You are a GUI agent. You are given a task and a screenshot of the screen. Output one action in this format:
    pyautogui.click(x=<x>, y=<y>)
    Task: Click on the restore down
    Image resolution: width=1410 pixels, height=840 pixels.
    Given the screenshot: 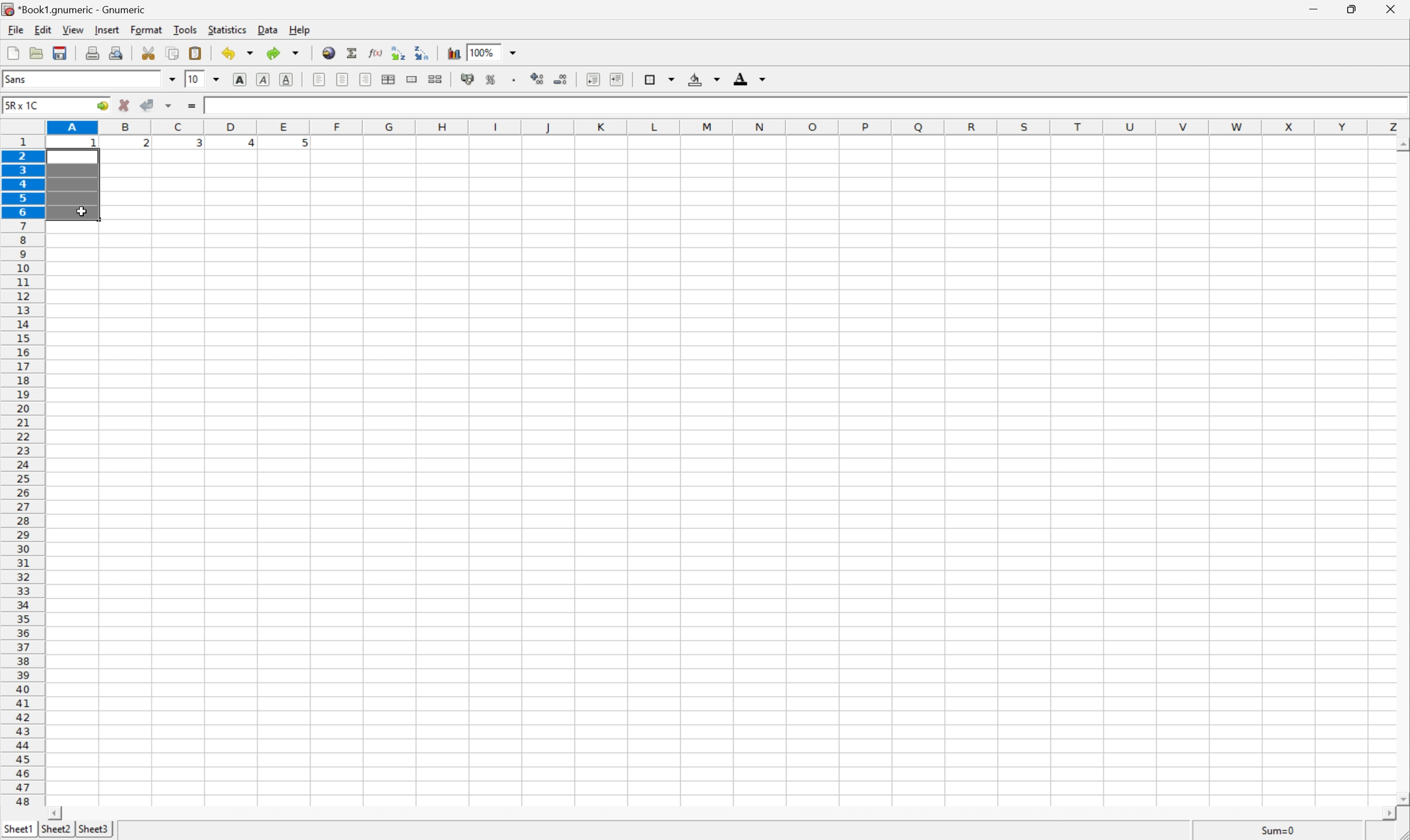 What is the action you would take?
    pyautogui.click(x=1355, y=8)
    